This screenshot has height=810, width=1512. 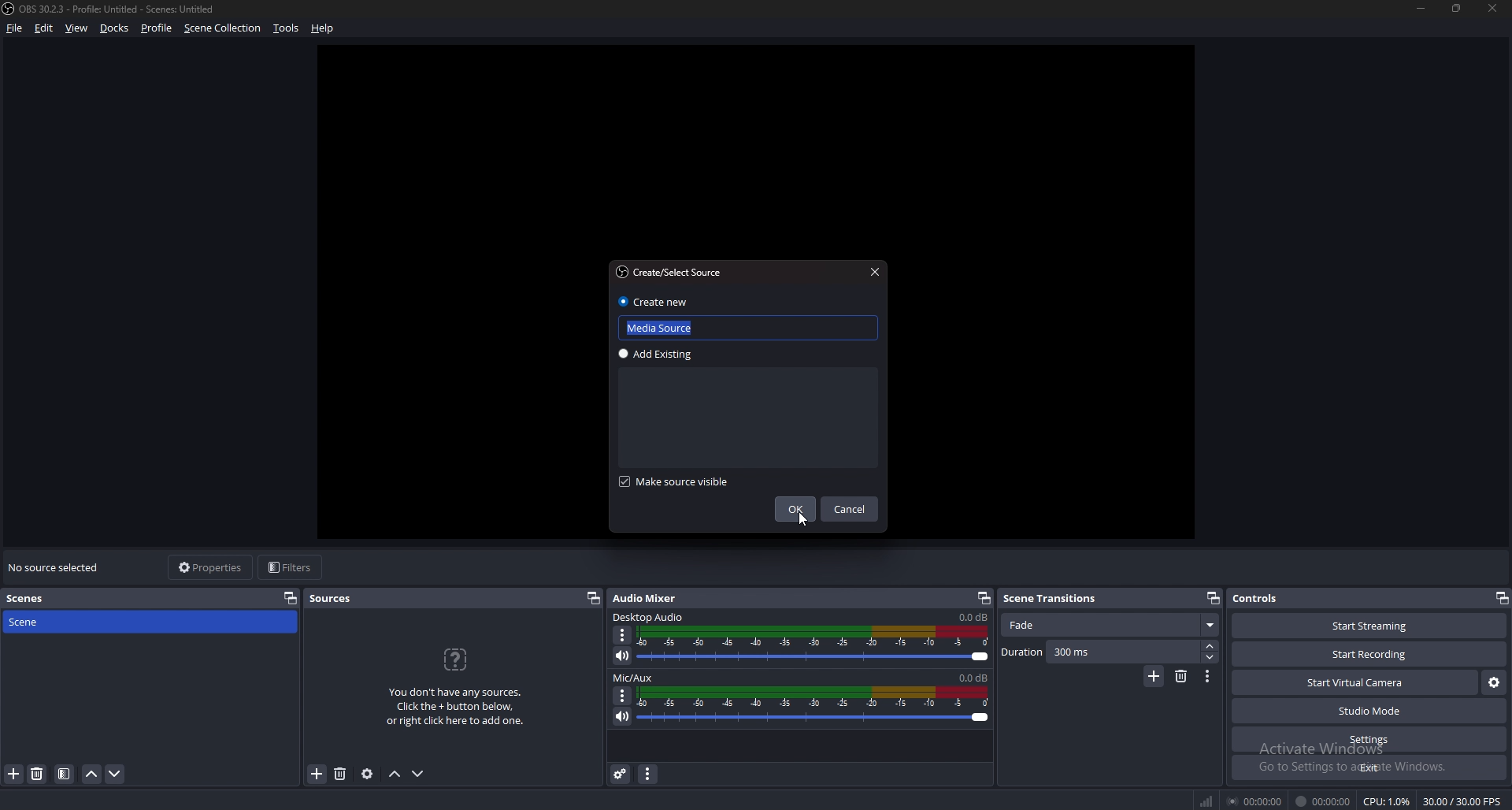 What do you see at coordinates (797, 510) in the screenshot?
I see `ok` at bounding box center [797, 510].